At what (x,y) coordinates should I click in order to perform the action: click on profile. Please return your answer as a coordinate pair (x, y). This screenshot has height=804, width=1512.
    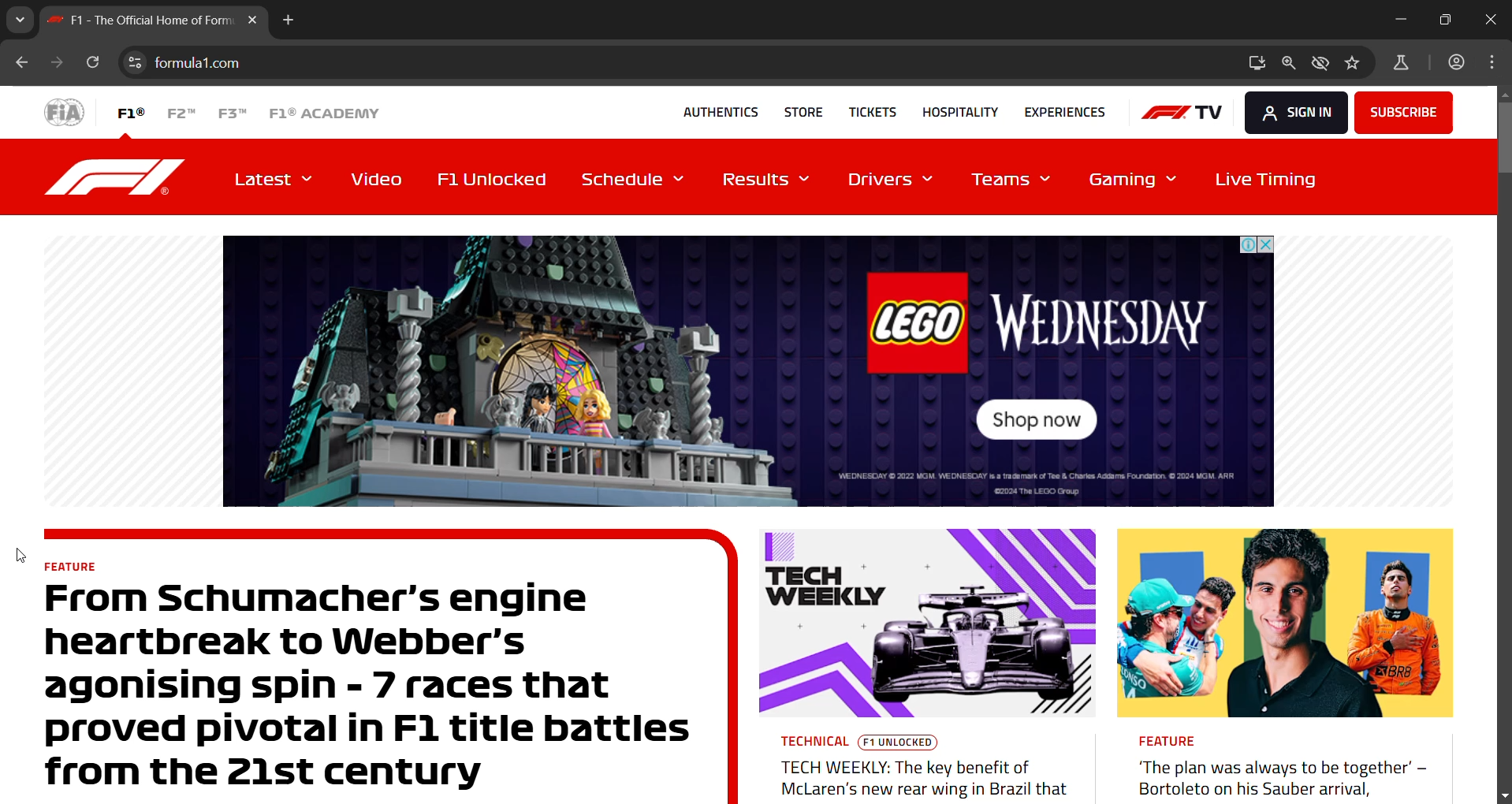
    Looking at the image, I should click on (1460, 63).